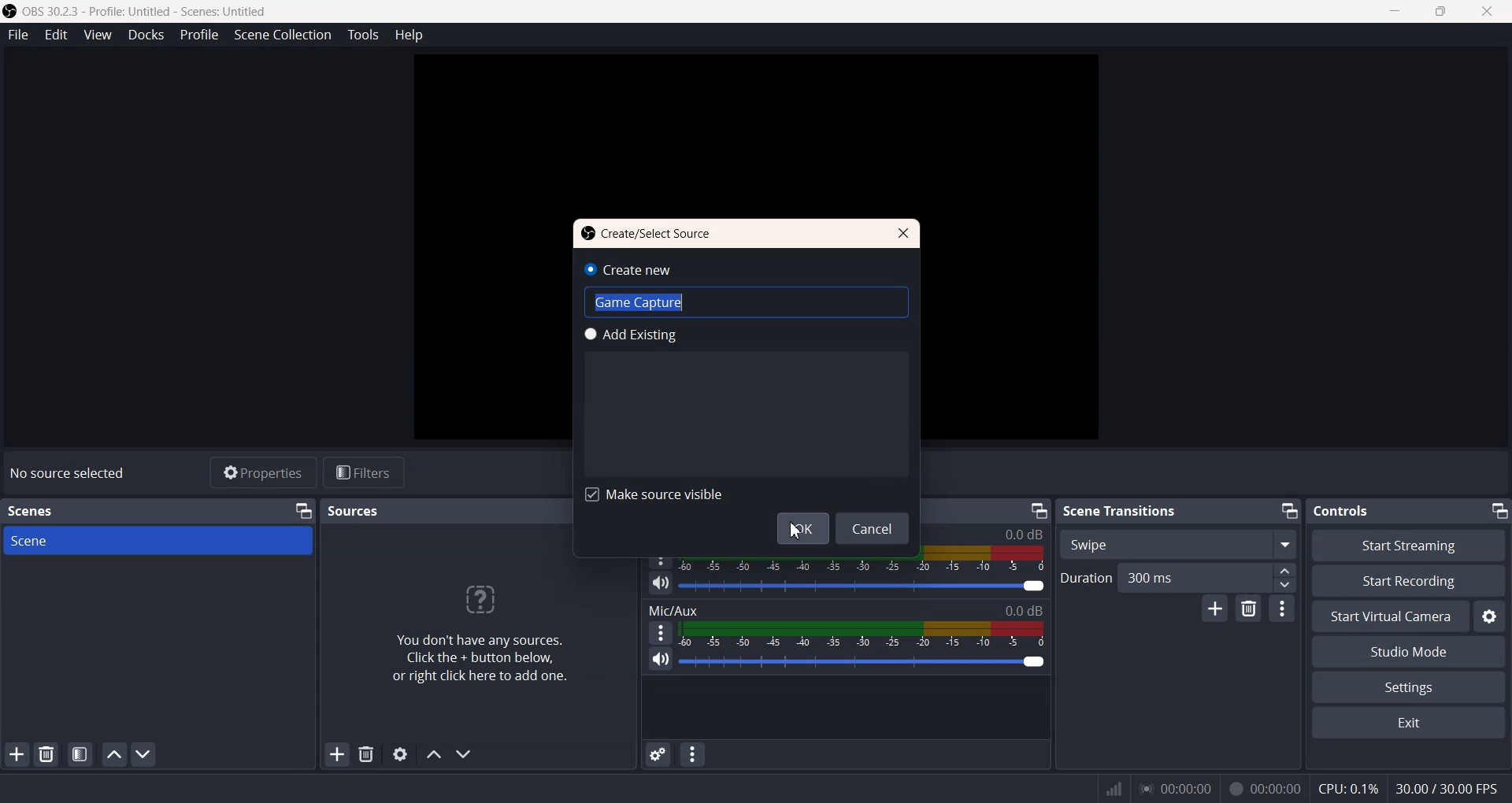  Describe the element at coordinates (336, 756) in the screenshot. I see `Add Sources` at that location.